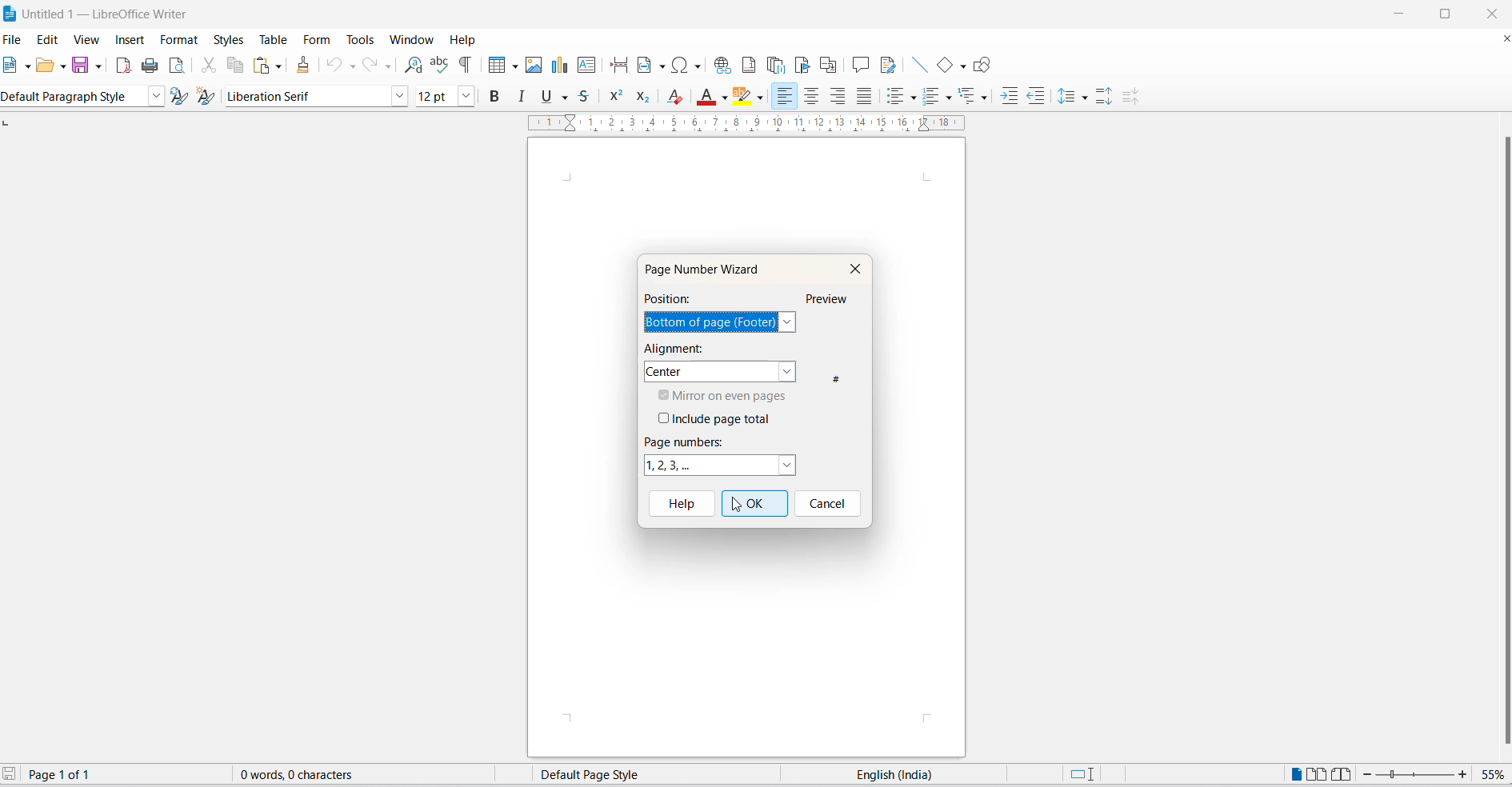  Describe the element at coordinates (801, 65) in the screenshot. I see `insert bookmark` at that location.